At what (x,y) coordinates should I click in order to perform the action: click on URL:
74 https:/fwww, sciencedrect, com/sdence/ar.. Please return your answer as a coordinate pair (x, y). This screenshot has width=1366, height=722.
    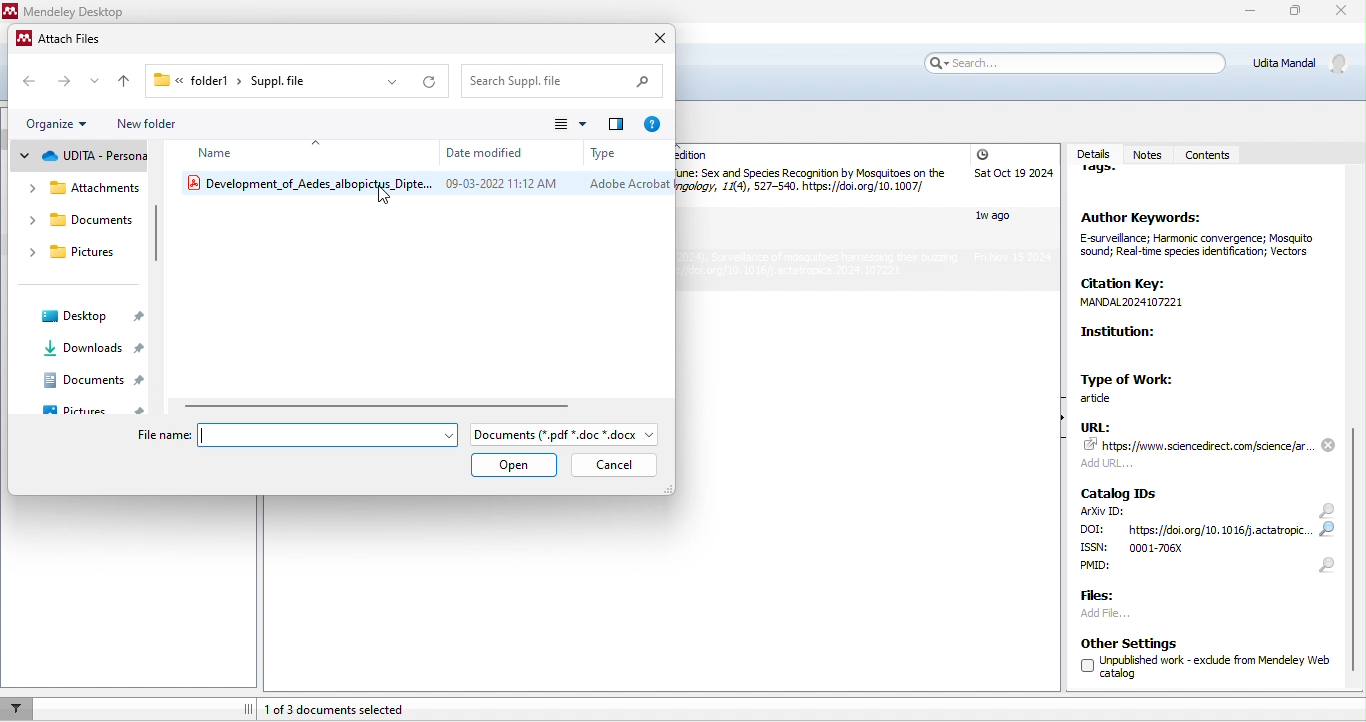
    Looking at the image, I should click on (1195, 444).